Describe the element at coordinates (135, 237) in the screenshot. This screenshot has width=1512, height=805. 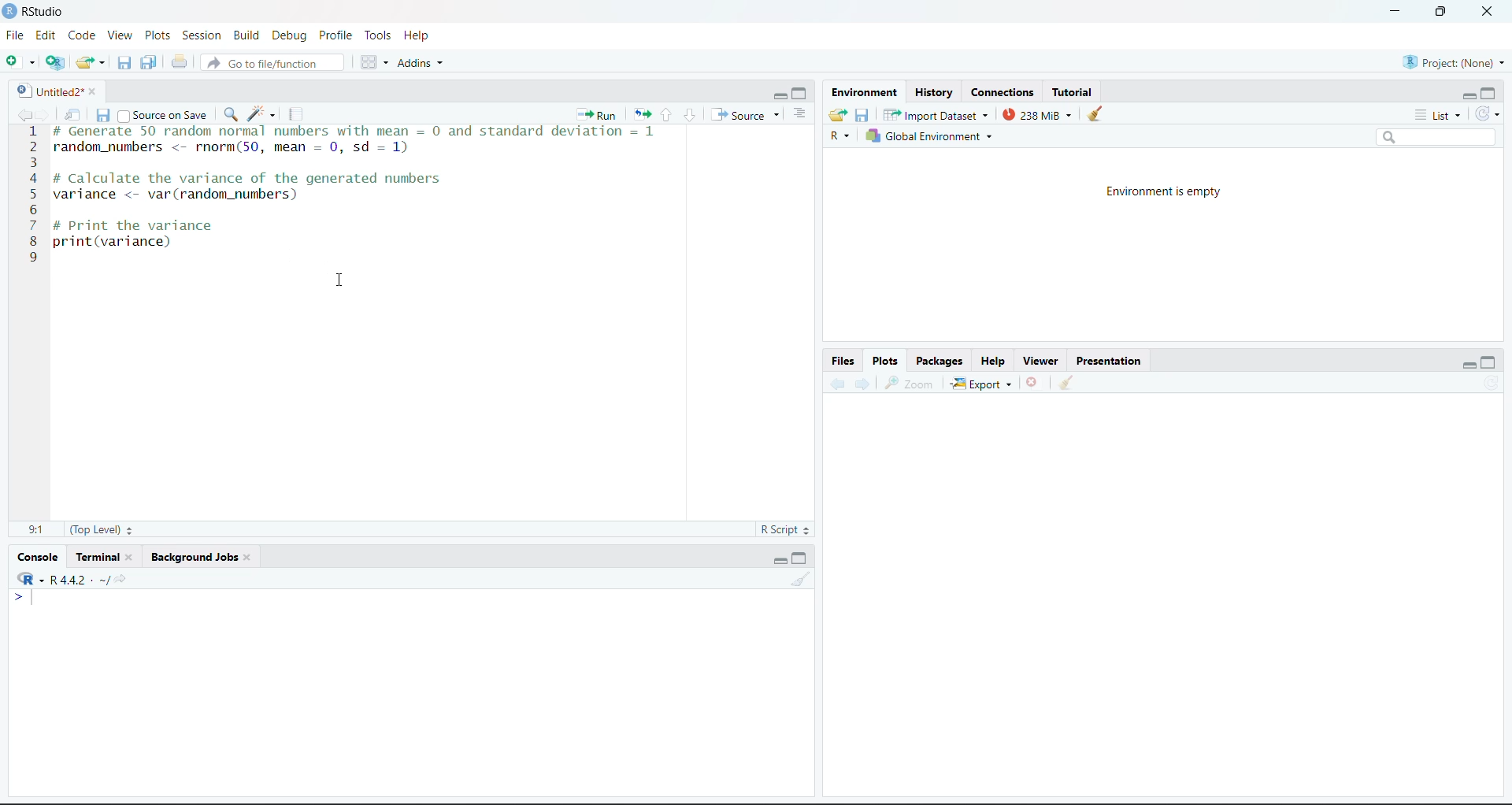
I see `# Print the variance
print(variance)` at that location.